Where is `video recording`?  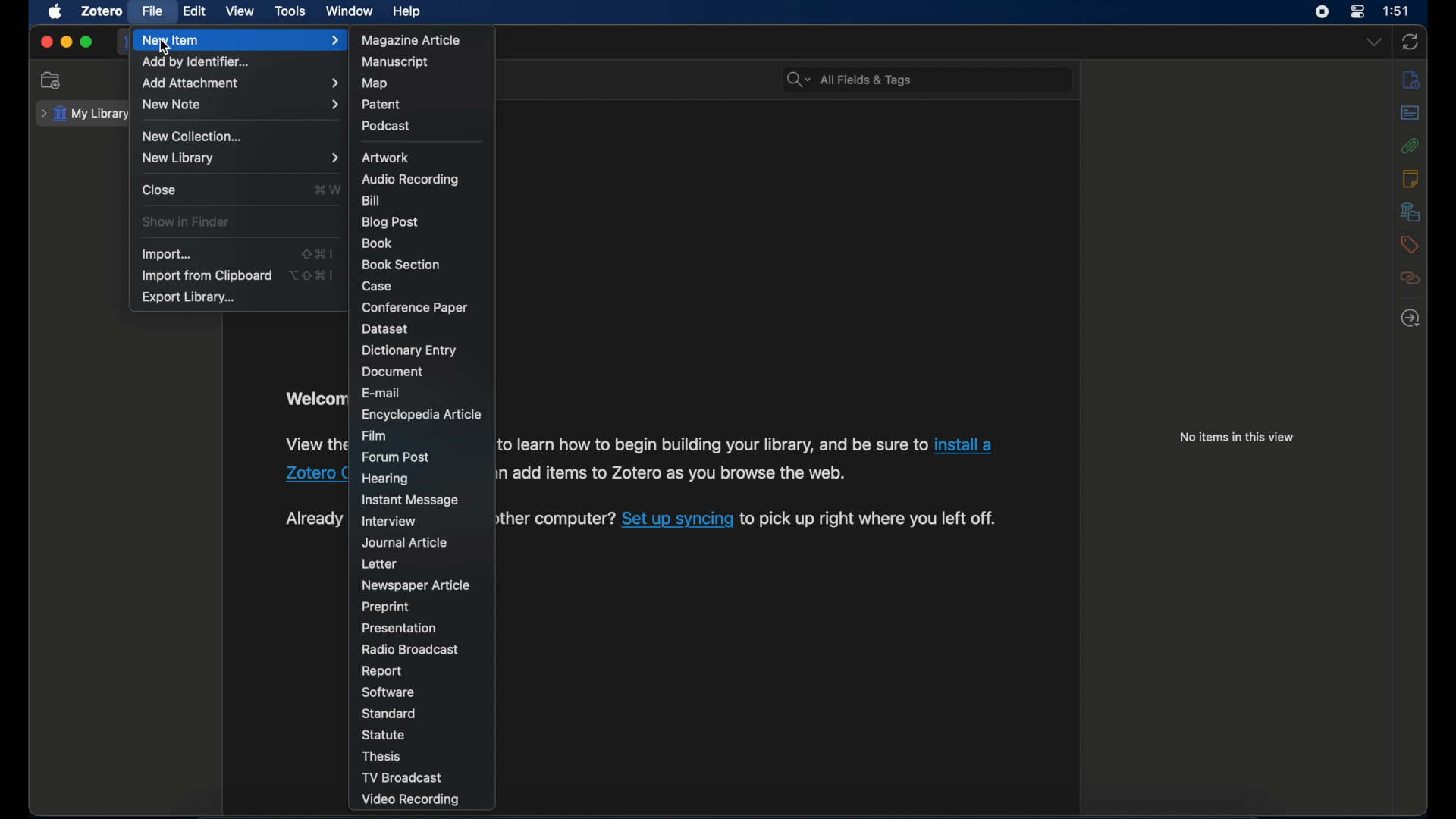 video recording is located at coordinates (411, 800).